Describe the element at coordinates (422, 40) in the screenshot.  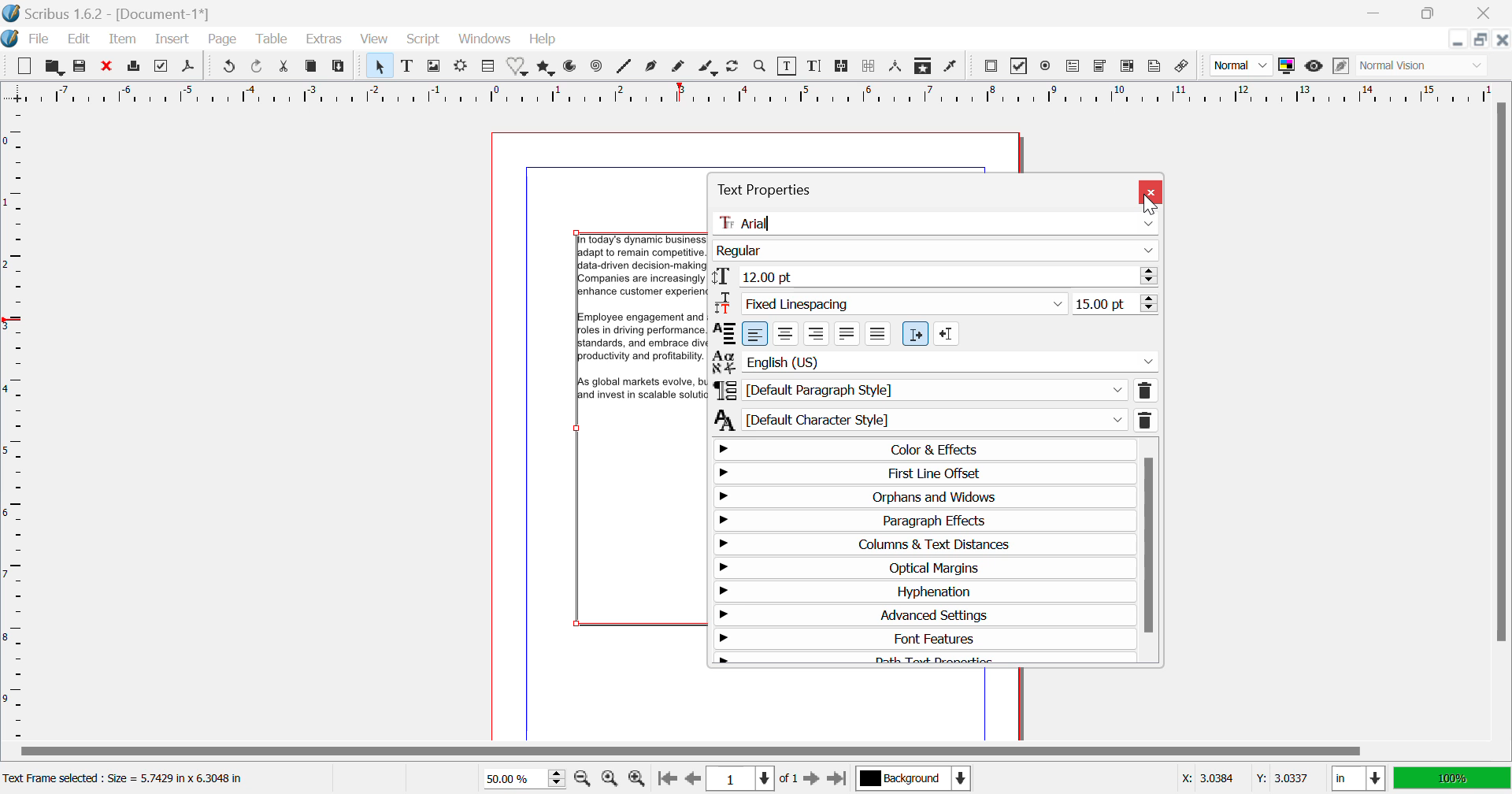
I see `Script` at that location.